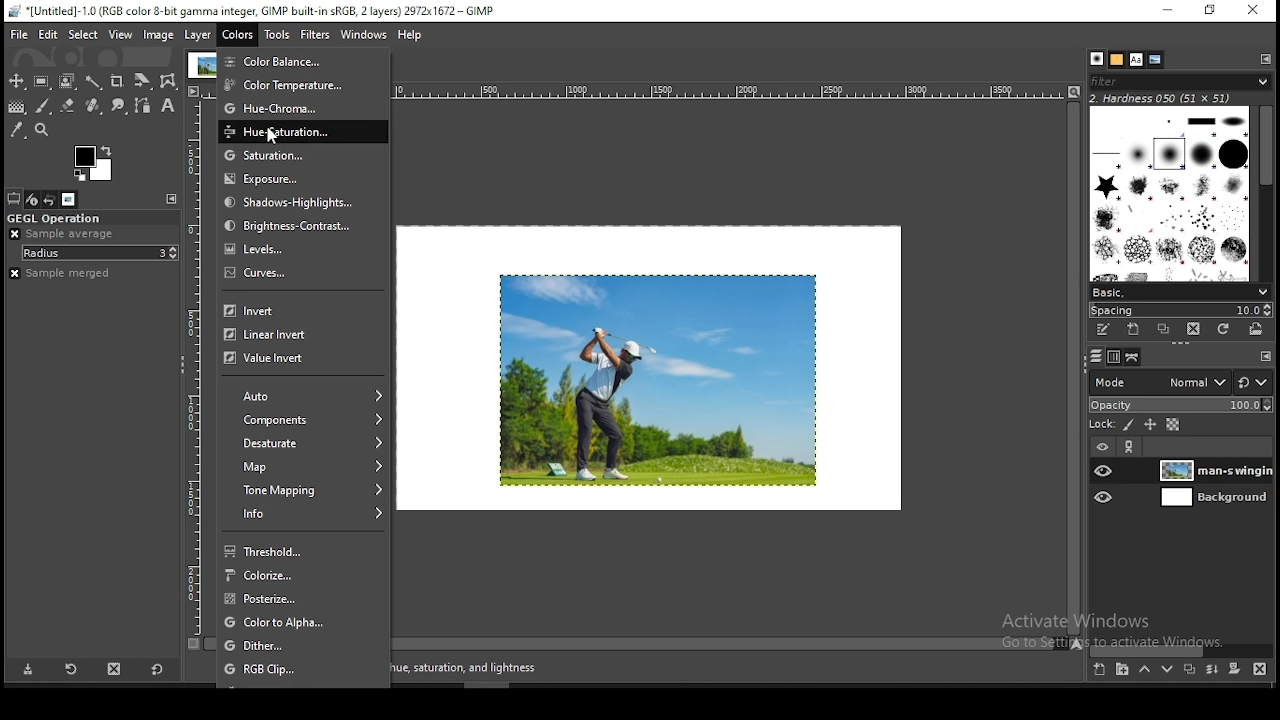 The height and width of the screenshot is (720, 1280). Describe the element at coordinates (34, 199) in the screenshot. I see `device status` at that location.